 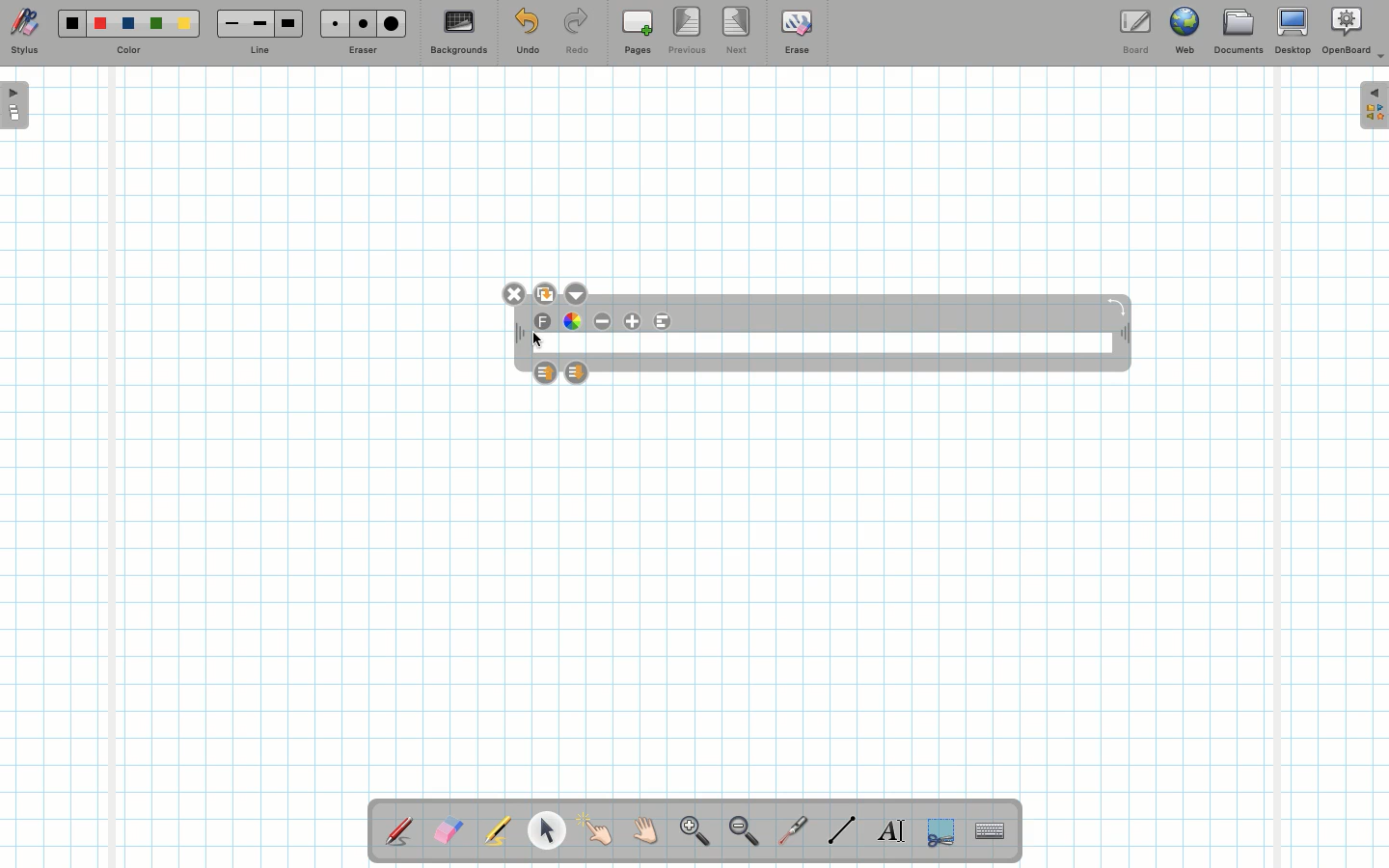 What do you see at coordinates (70, 23) in the screenshot?
I see `Black` at bounding box center [70, 23].